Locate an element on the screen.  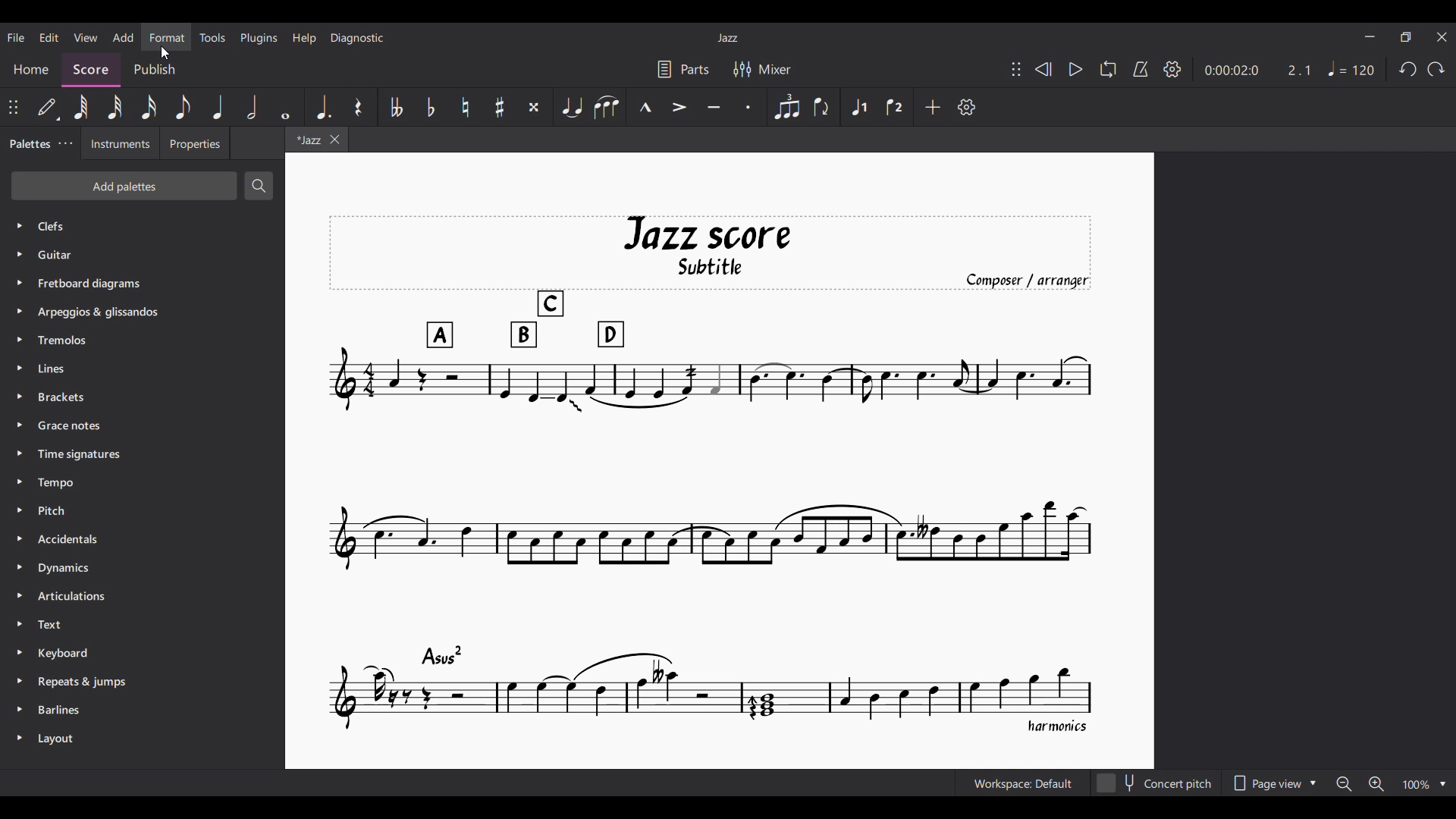
Staccato is located at coordinates (749, 107).